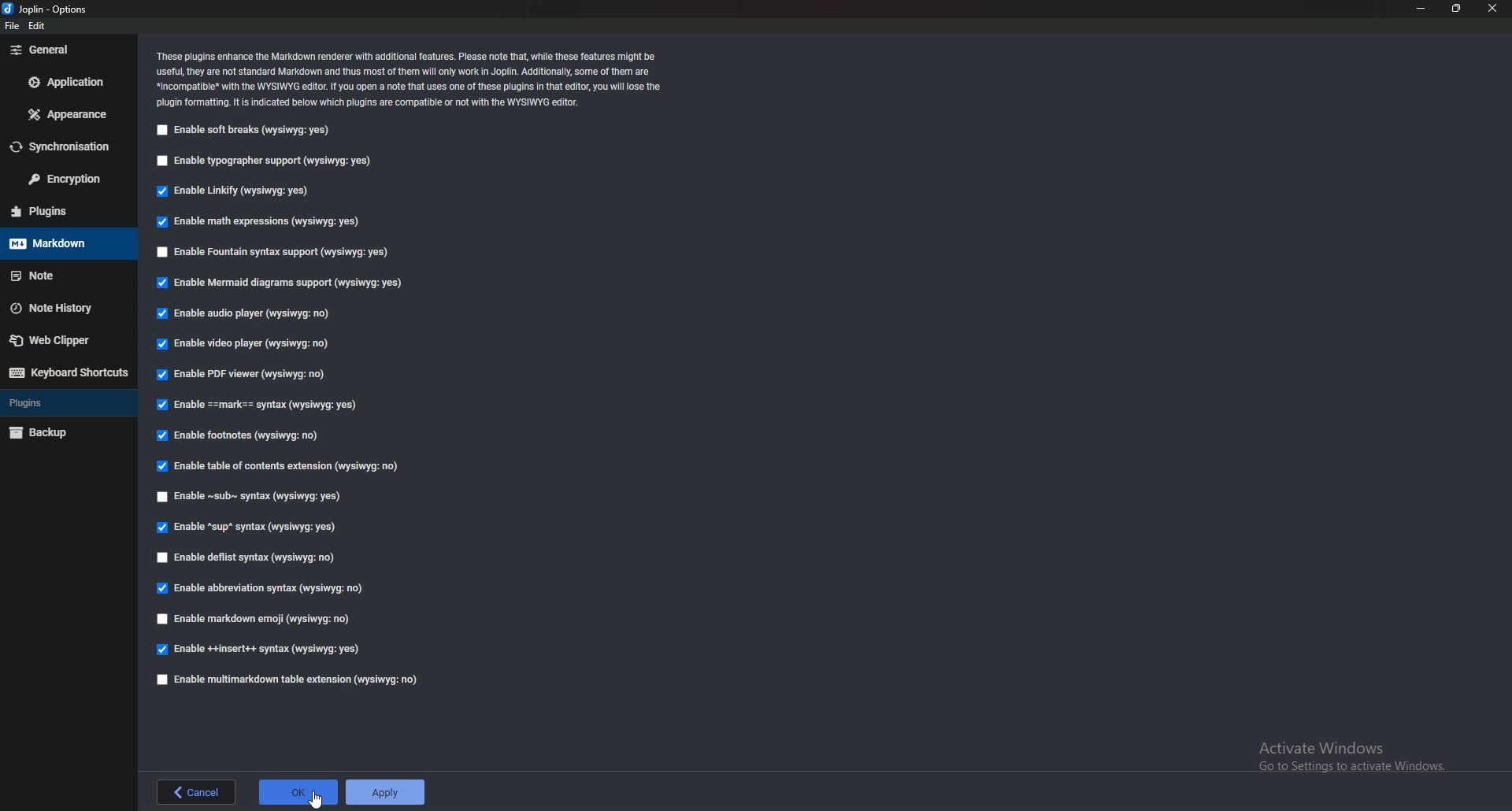 Image resolution: width=1512 pixels, height=811 pixels. Describe the element at coordinates (249, 343) in the screenshot. I see `Enable video player (wysiwyg: no)` at that location.